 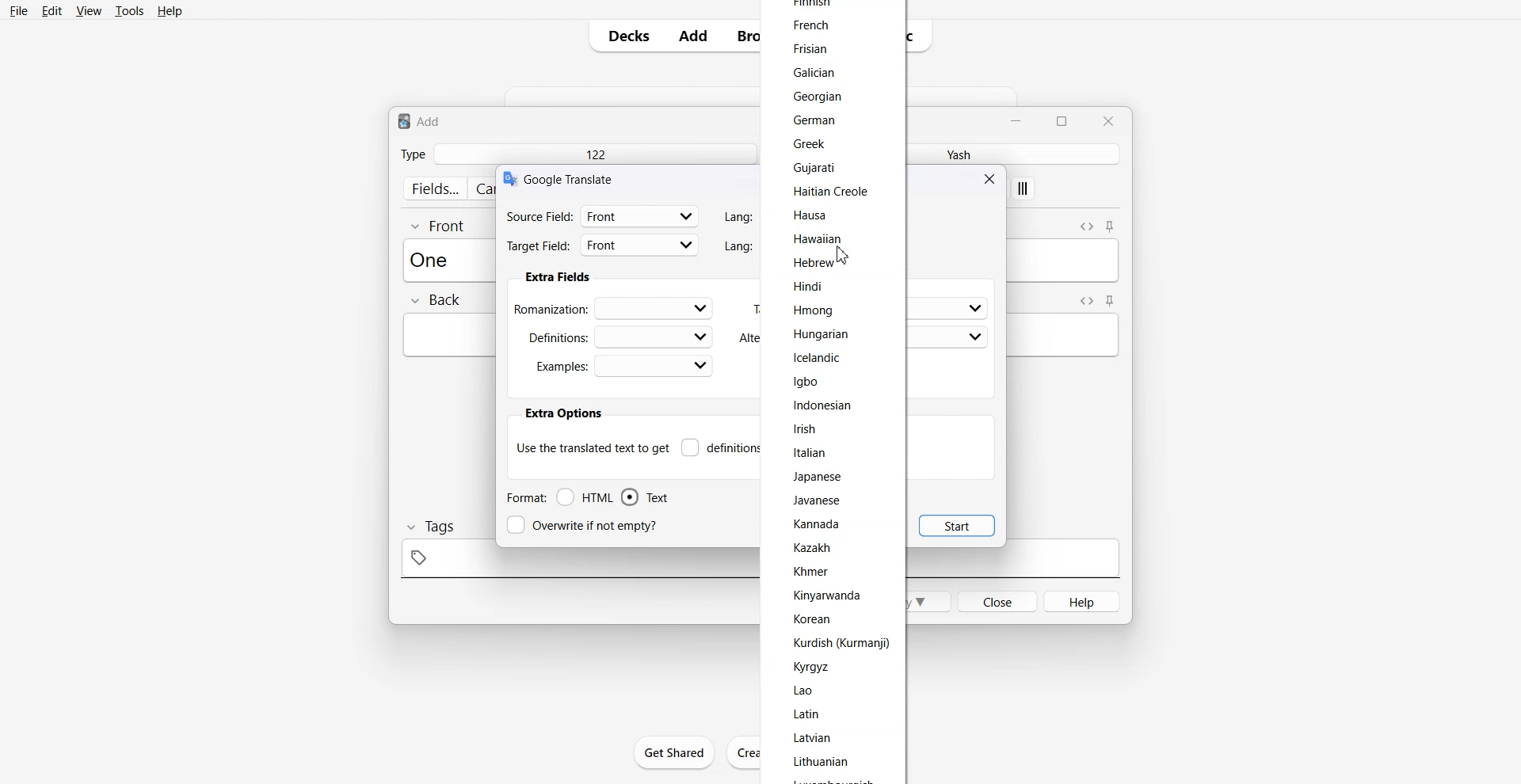 What do you see at coordinates (805, 143) in the screenshot?
I see `Greek` at bounding box center [805, 143].